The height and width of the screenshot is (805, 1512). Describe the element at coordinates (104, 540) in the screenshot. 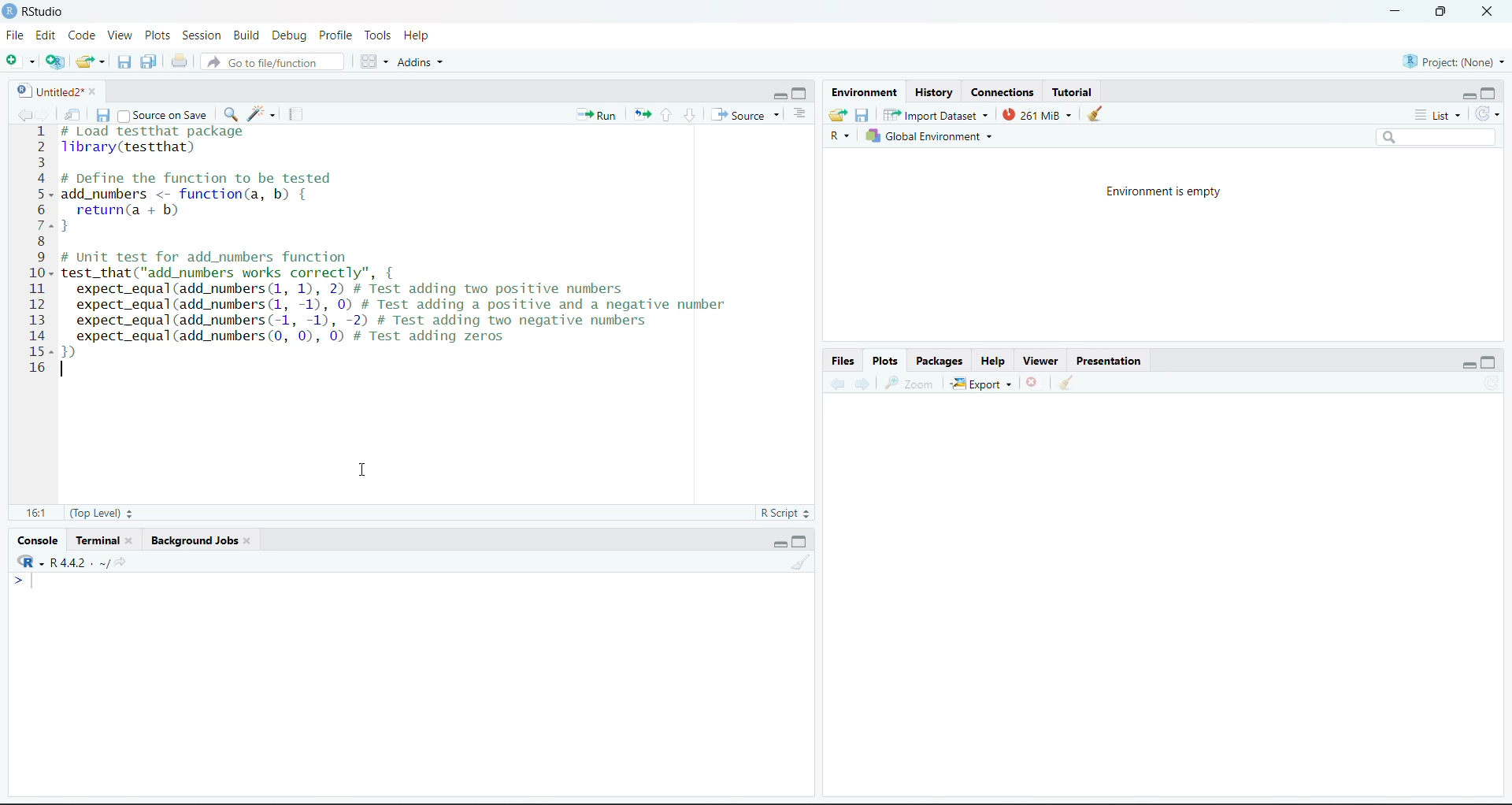

I see `Terminal` at that location.